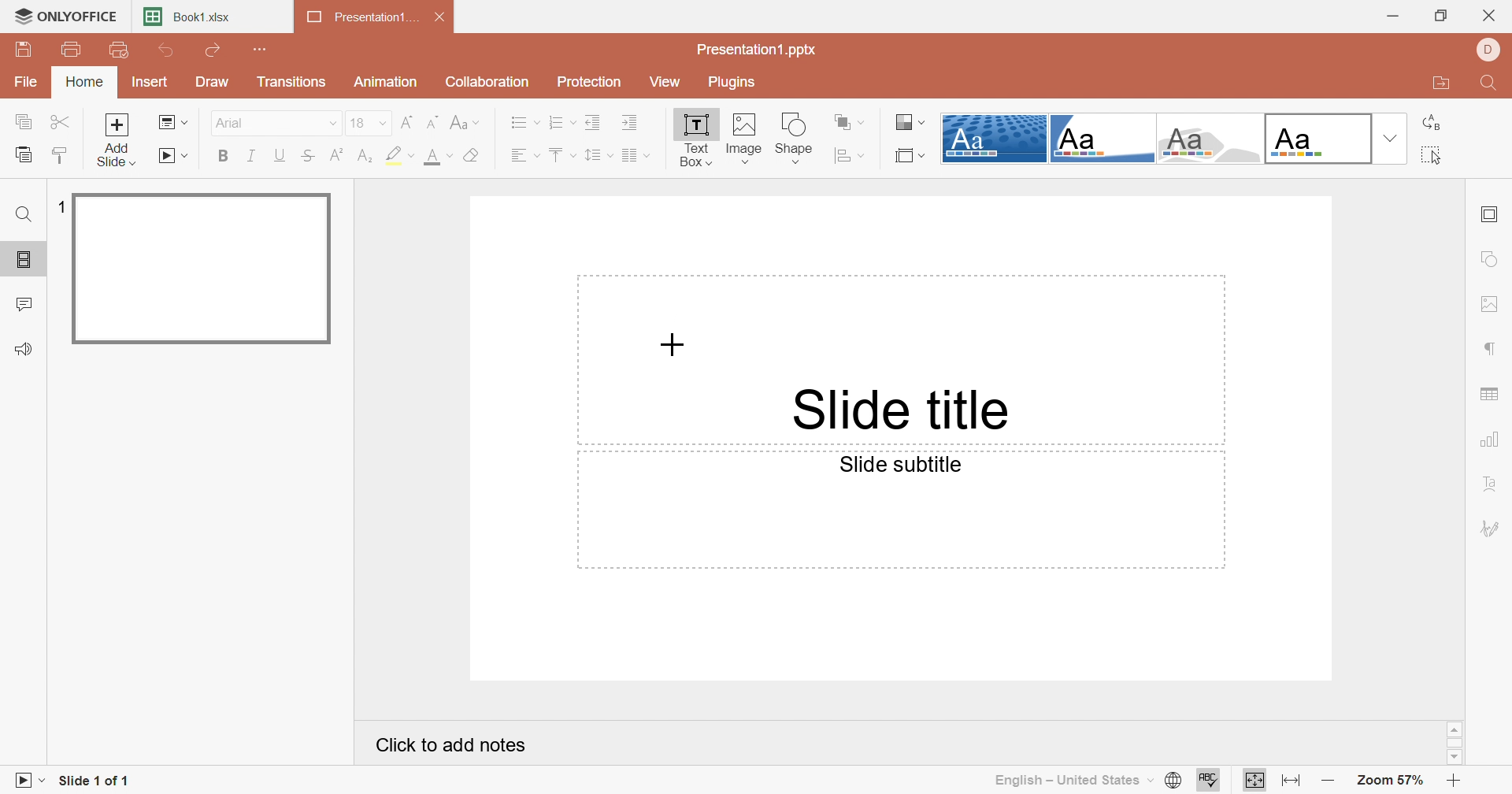 This screenshot has width=1512, height=794. I want to click on Cut, so click(60, 122).